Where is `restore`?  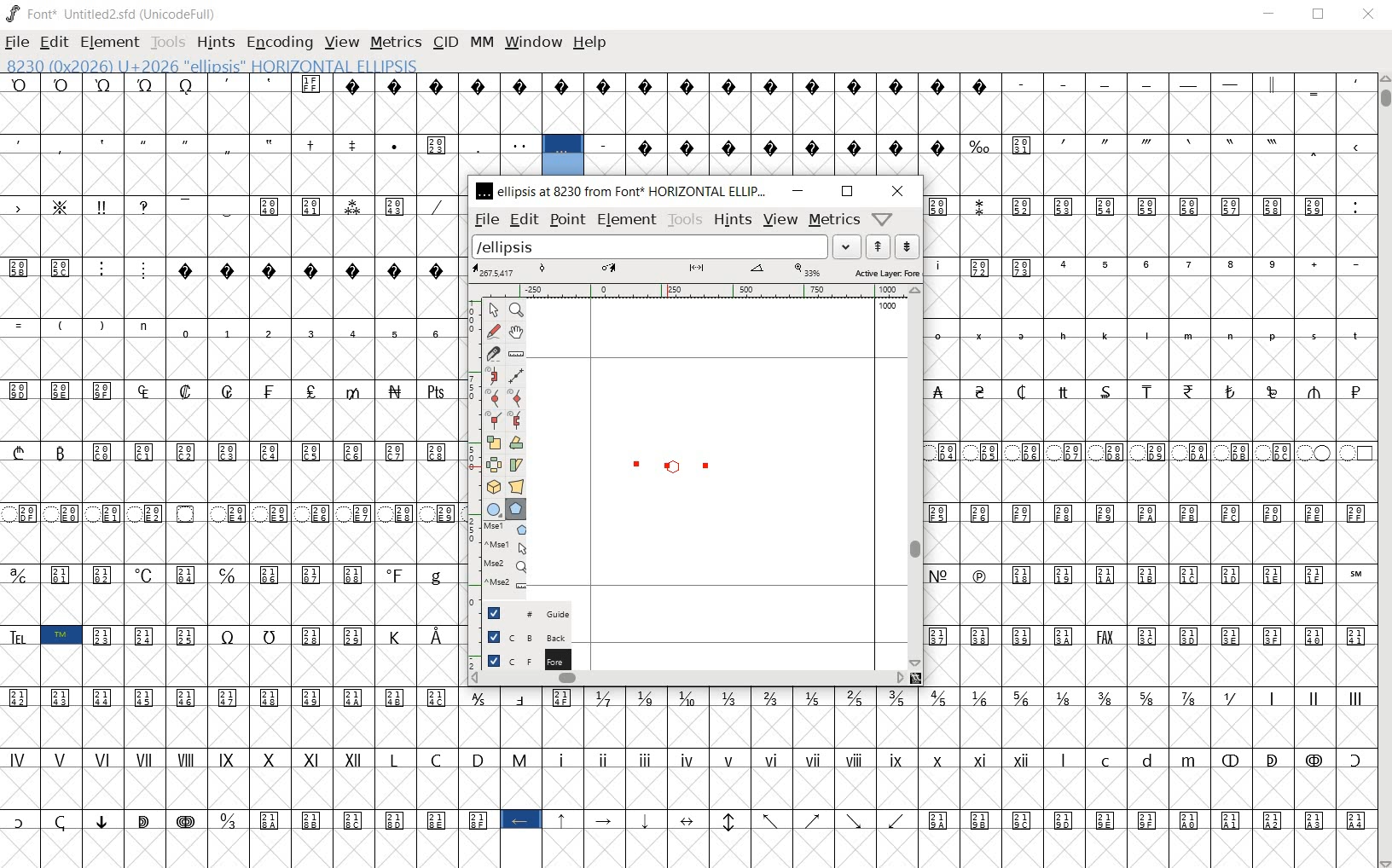 restore is located at coordinates (848, 192).